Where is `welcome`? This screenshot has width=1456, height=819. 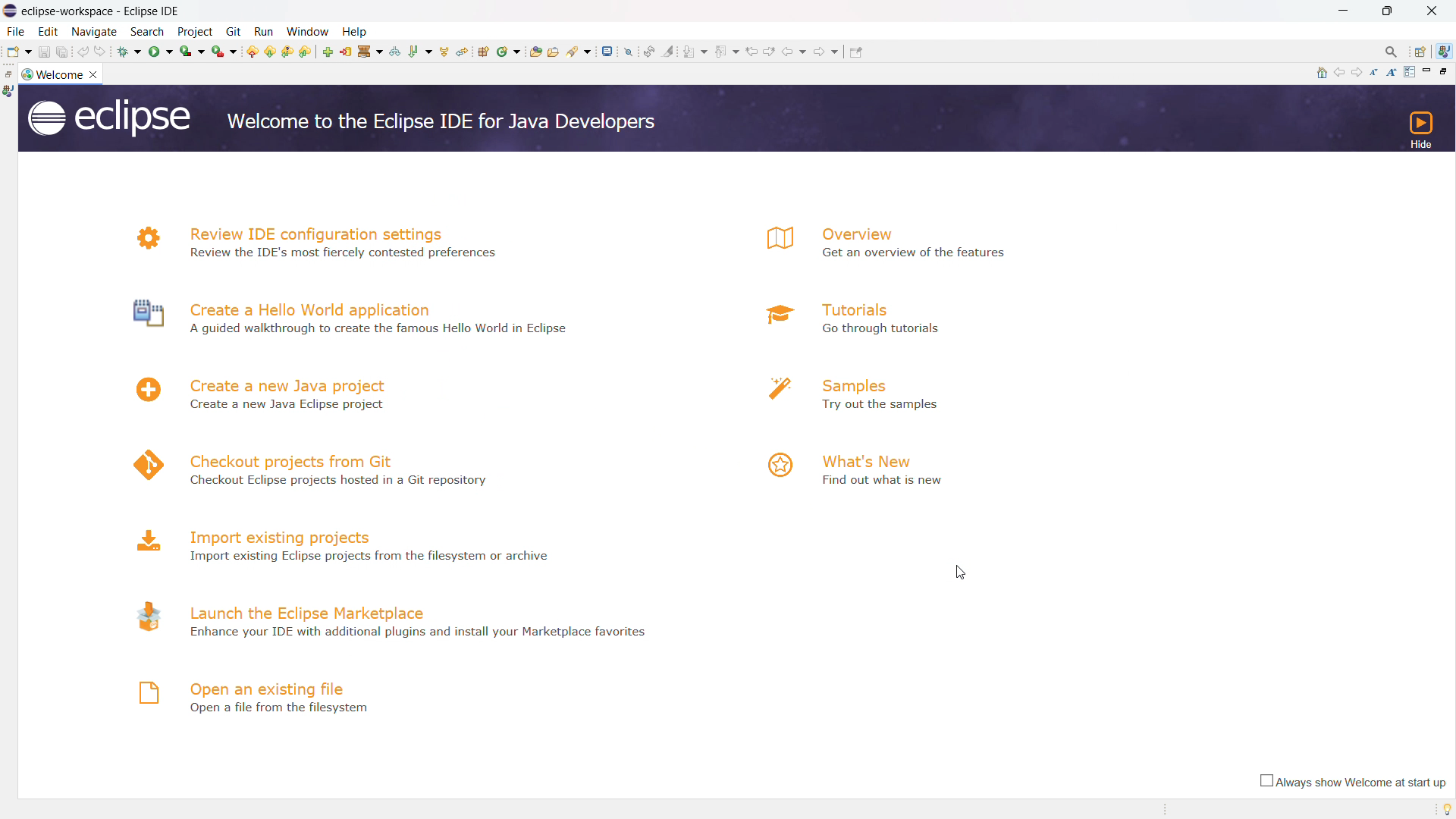
welcome is located at coordinates (60, 74).